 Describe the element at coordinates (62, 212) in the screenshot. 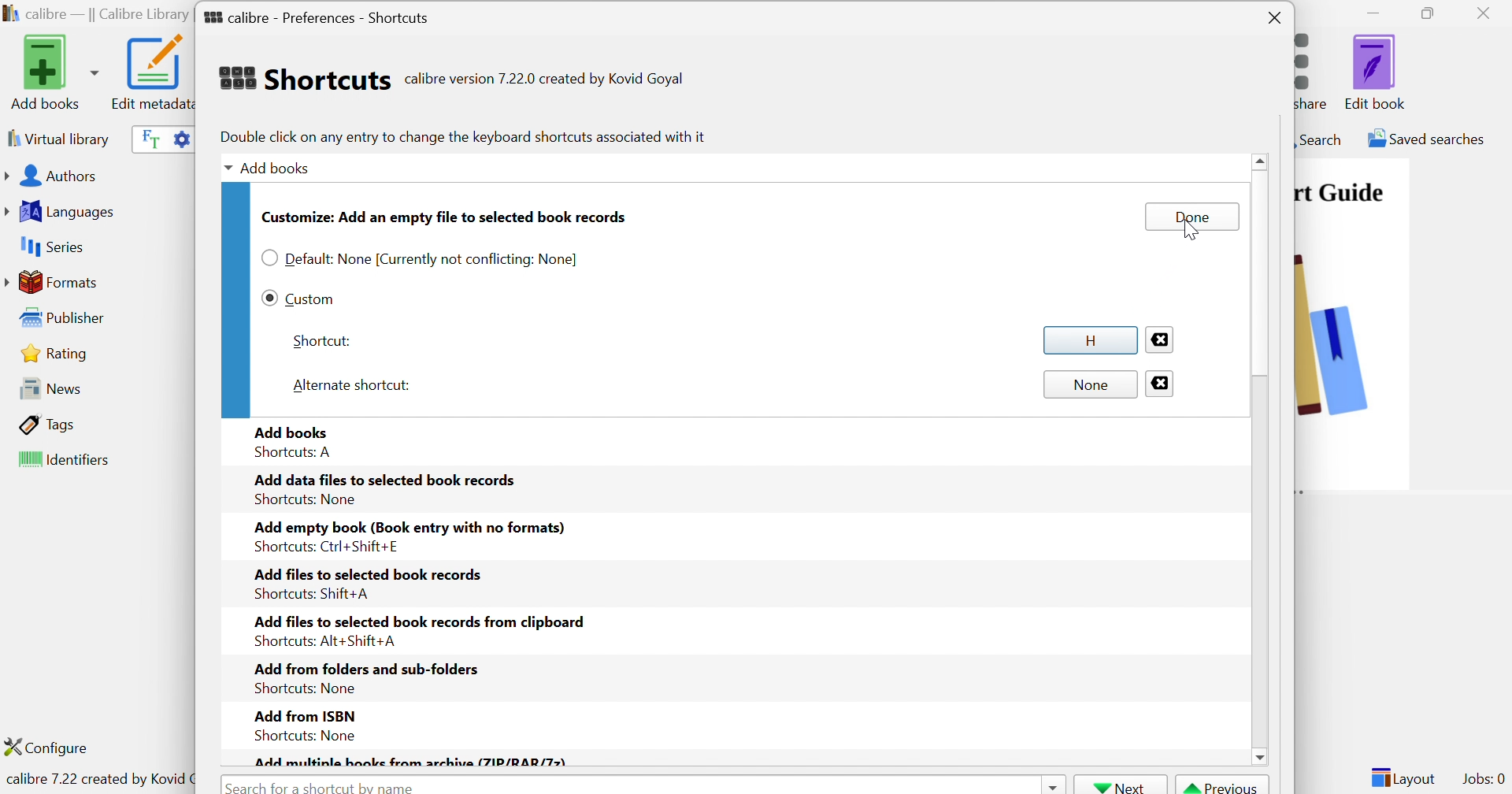

I see `Languages` at that location.